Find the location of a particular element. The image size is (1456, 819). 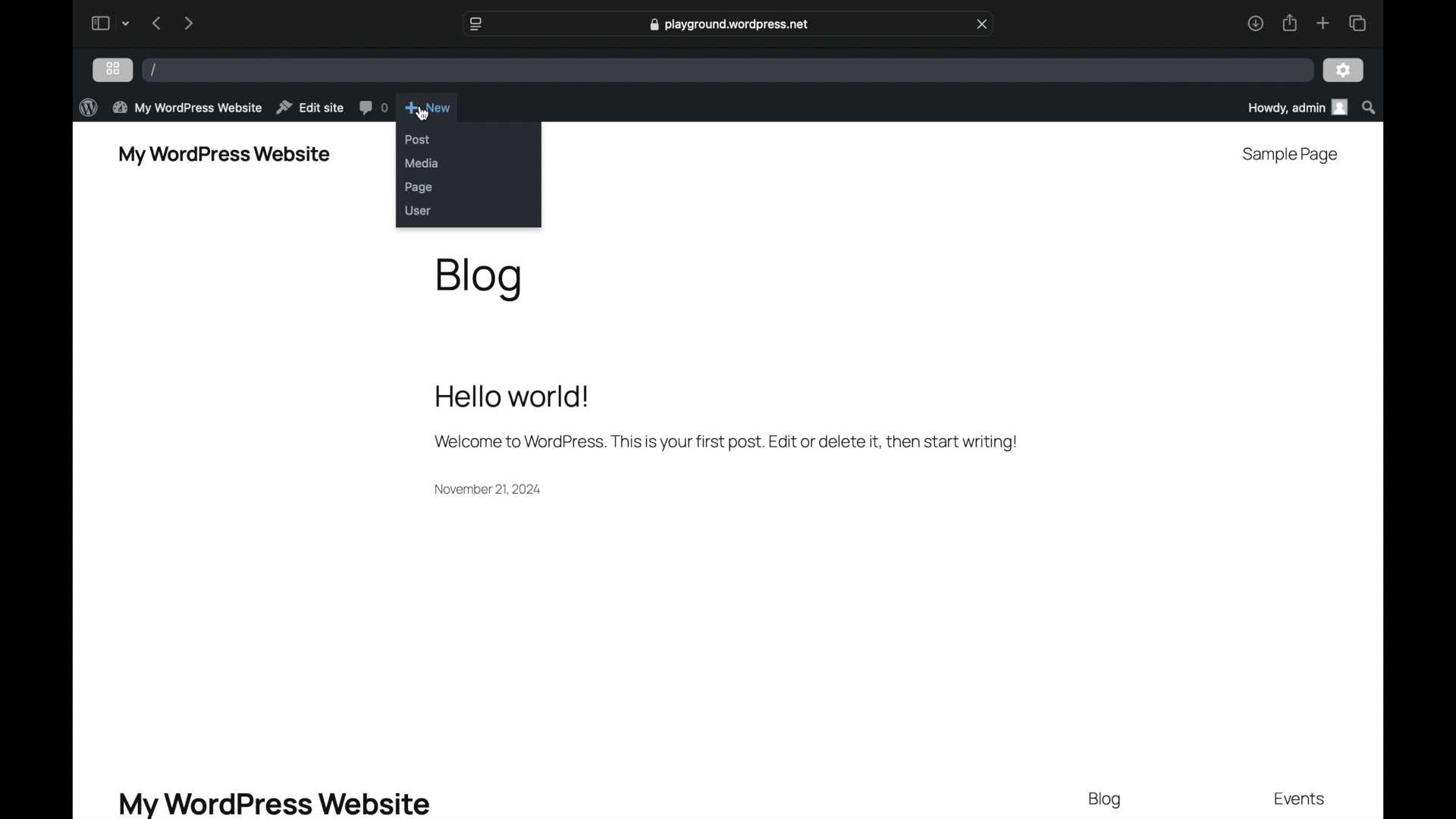

previous page is located at coordinates (156, 22).